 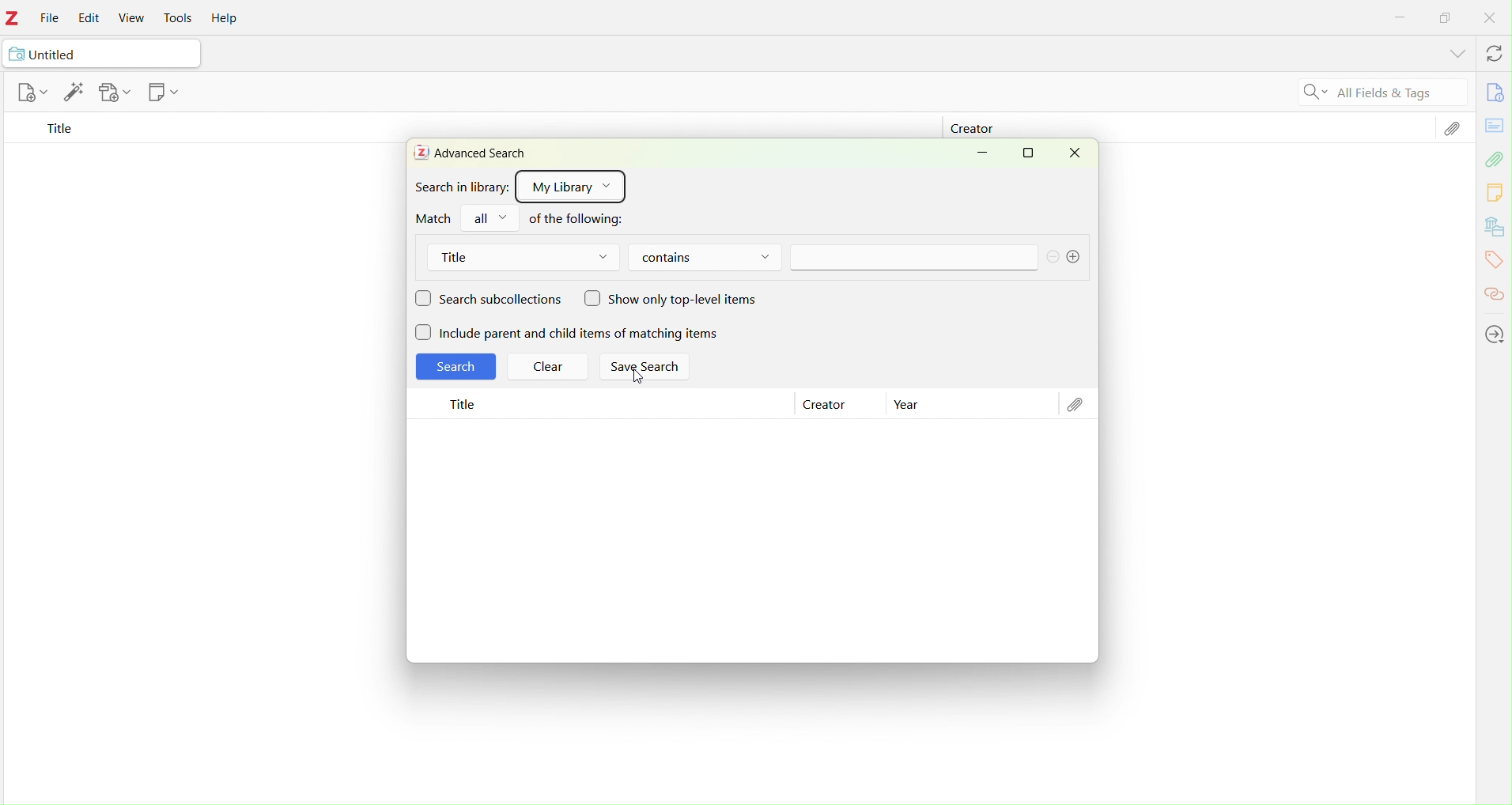 I want to click on Search subcollections, so click(x=490, y=300).